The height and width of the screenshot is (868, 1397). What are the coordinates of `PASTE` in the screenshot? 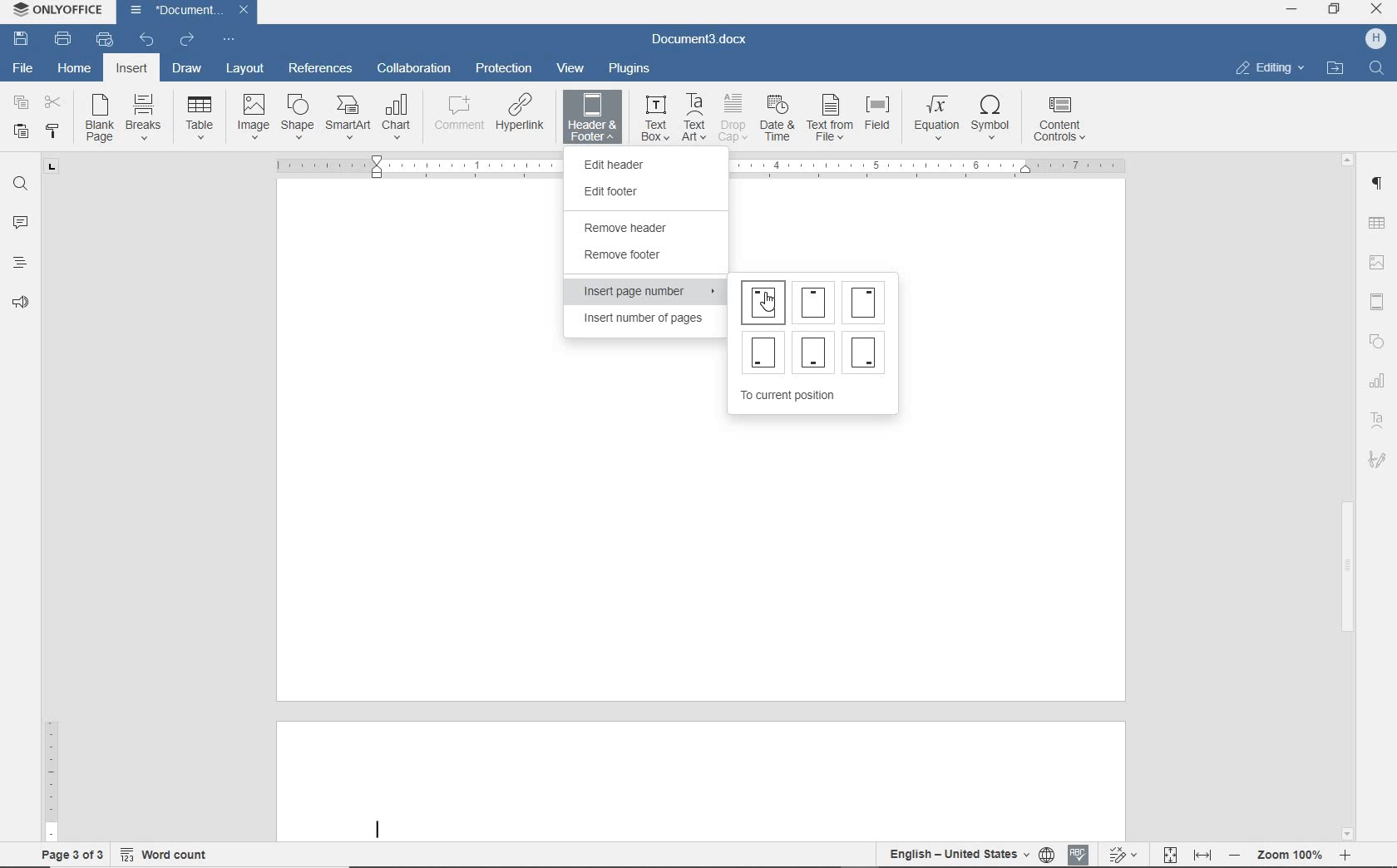 It's located at (22, 130).